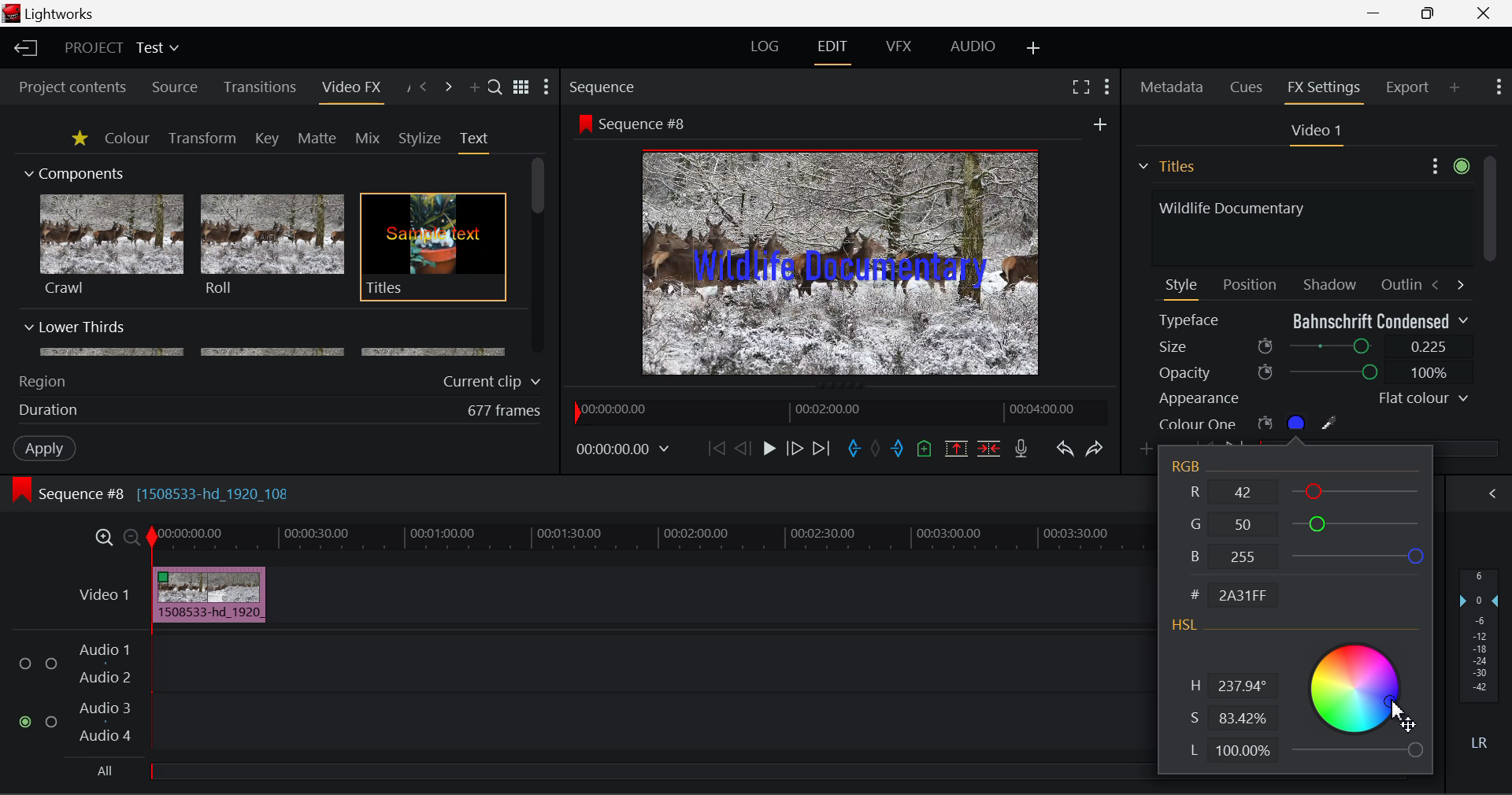 This screenshot has width=1512, height=795. I want to click on Source, so click(175, 89).